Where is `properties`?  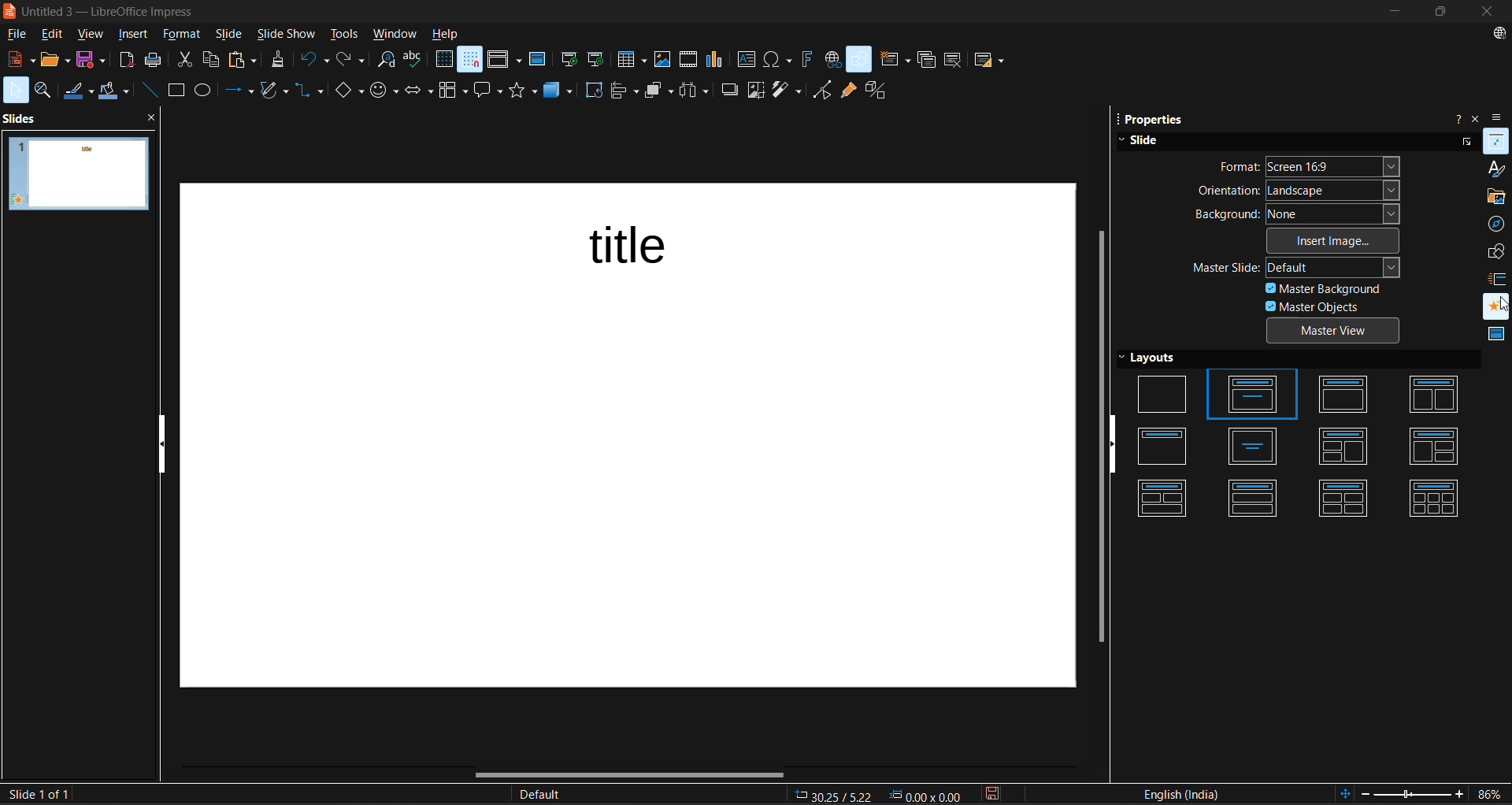
properties is located at coordinates (1147, 121).